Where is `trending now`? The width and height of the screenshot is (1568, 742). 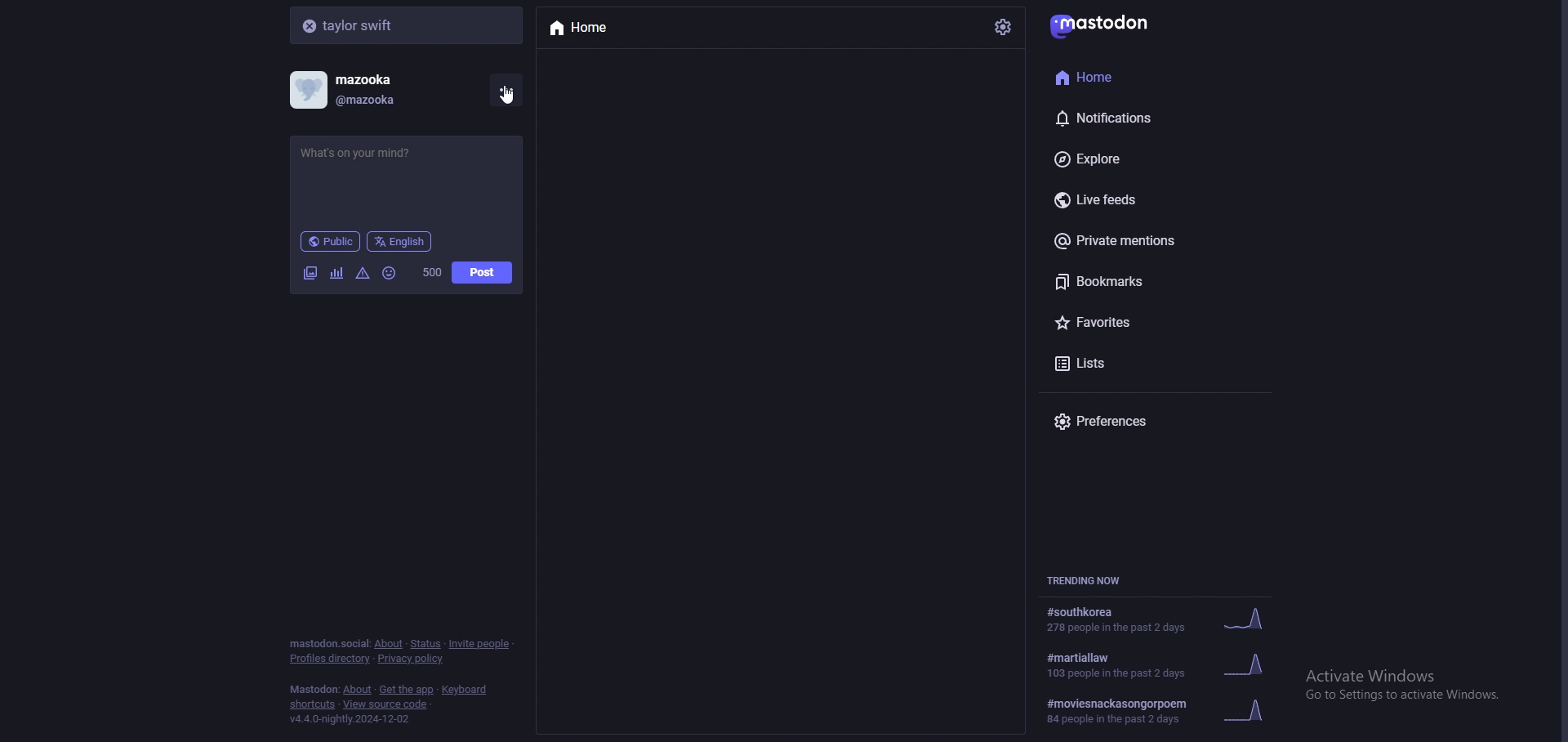 trending now is located at coordinates (1094, 581).